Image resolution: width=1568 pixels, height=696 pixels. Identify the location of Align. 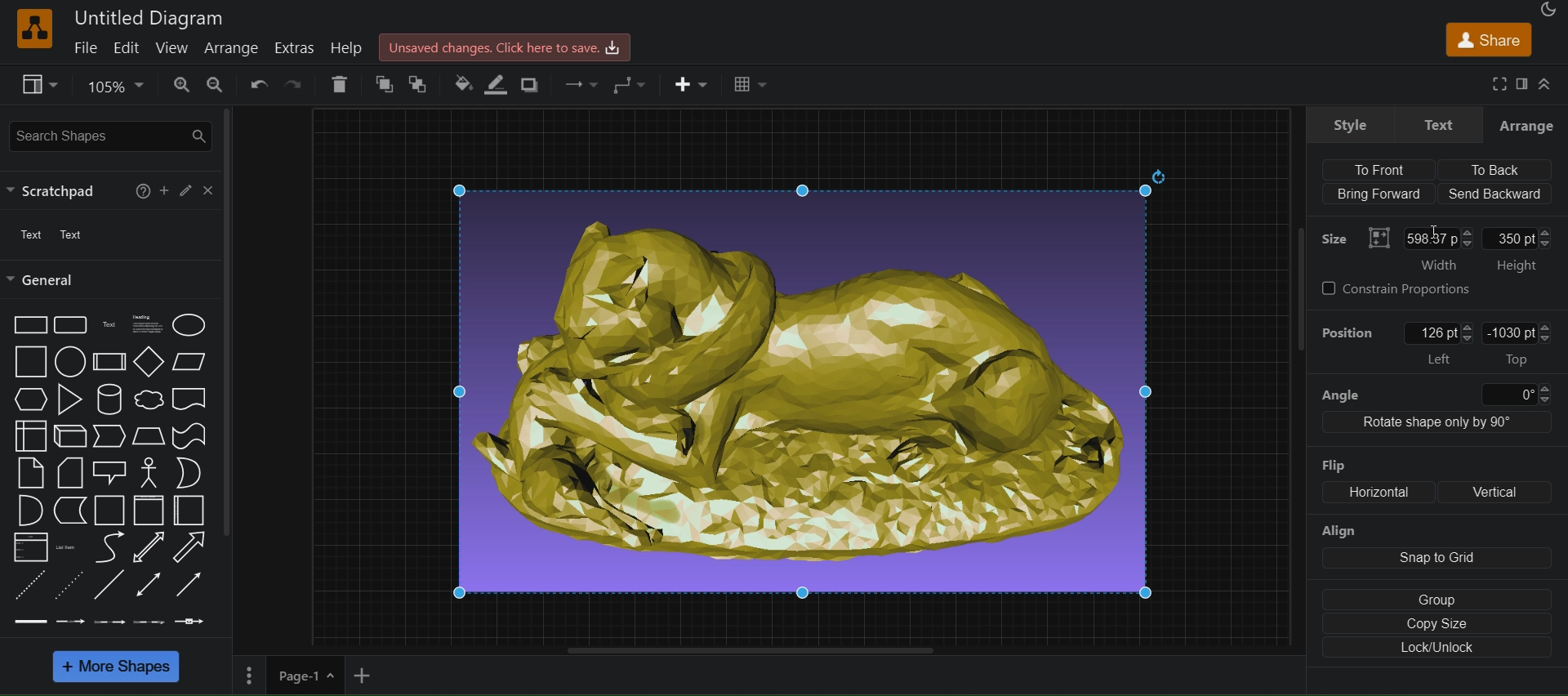
(1340, 532).